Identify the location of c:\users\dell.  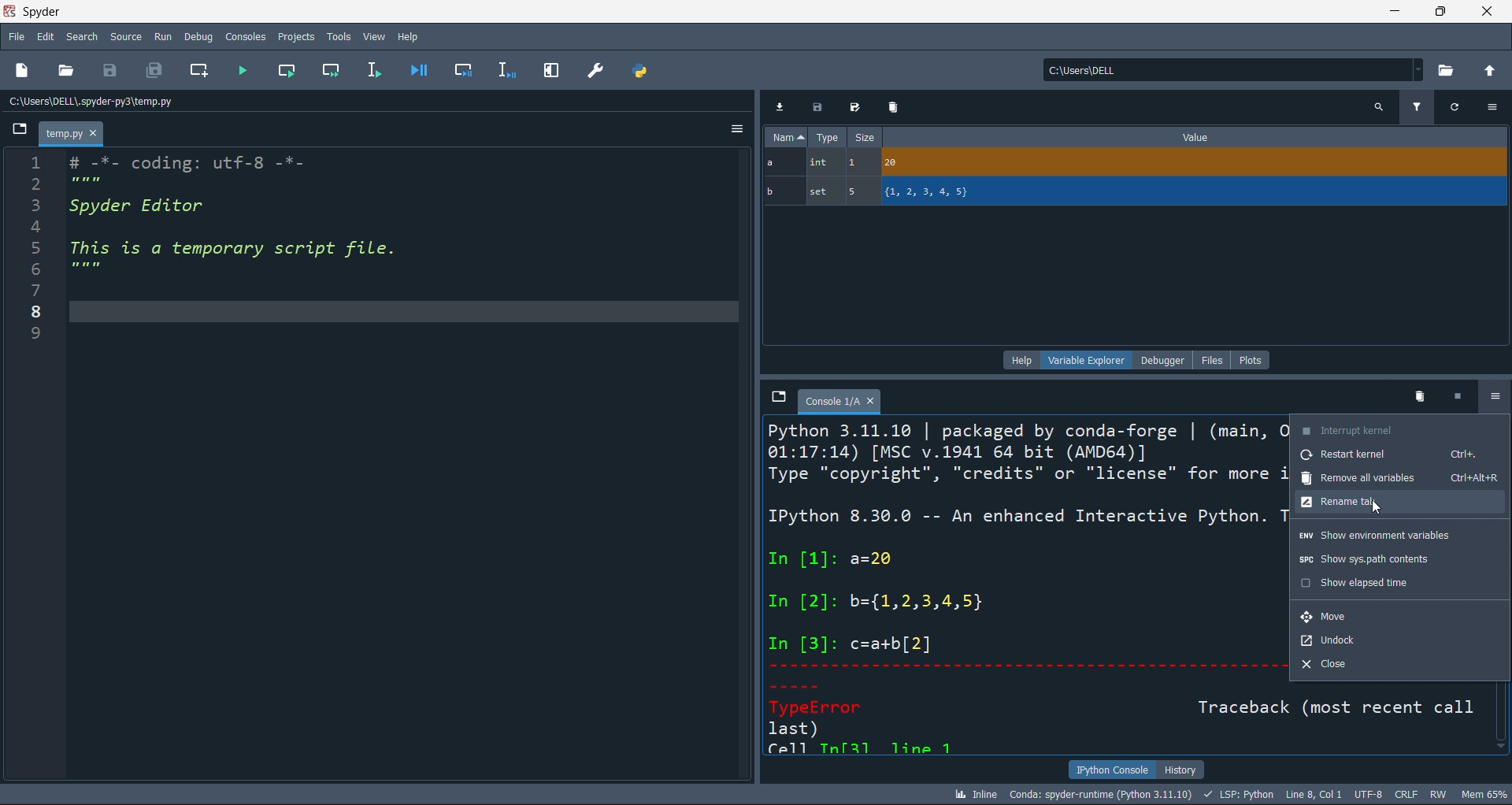
(1230, 68).